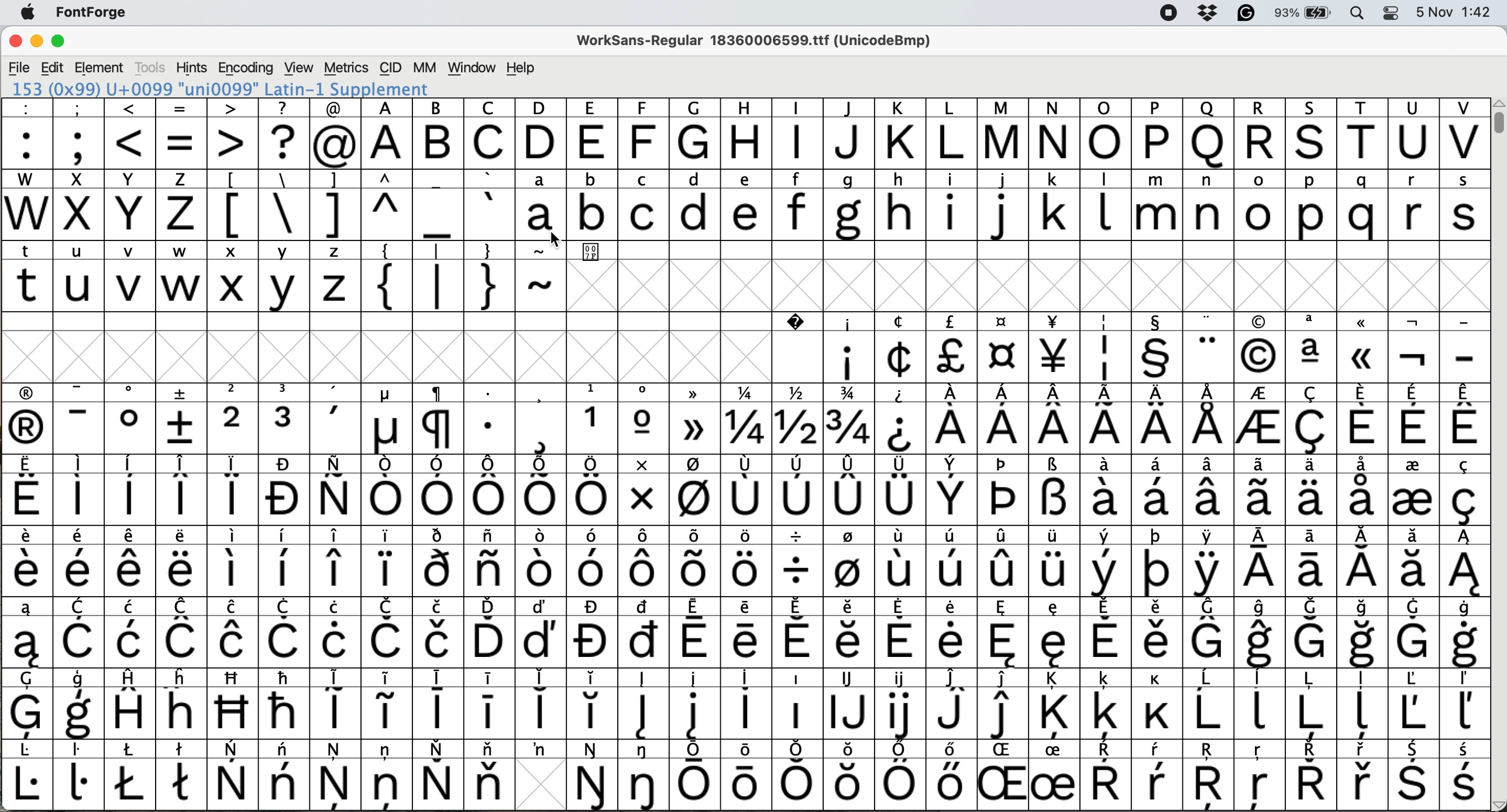 This screenshot has height=812, width=1507. Describe the element at coordinates (334, 203) in the screenshot. I see `]` at that location.